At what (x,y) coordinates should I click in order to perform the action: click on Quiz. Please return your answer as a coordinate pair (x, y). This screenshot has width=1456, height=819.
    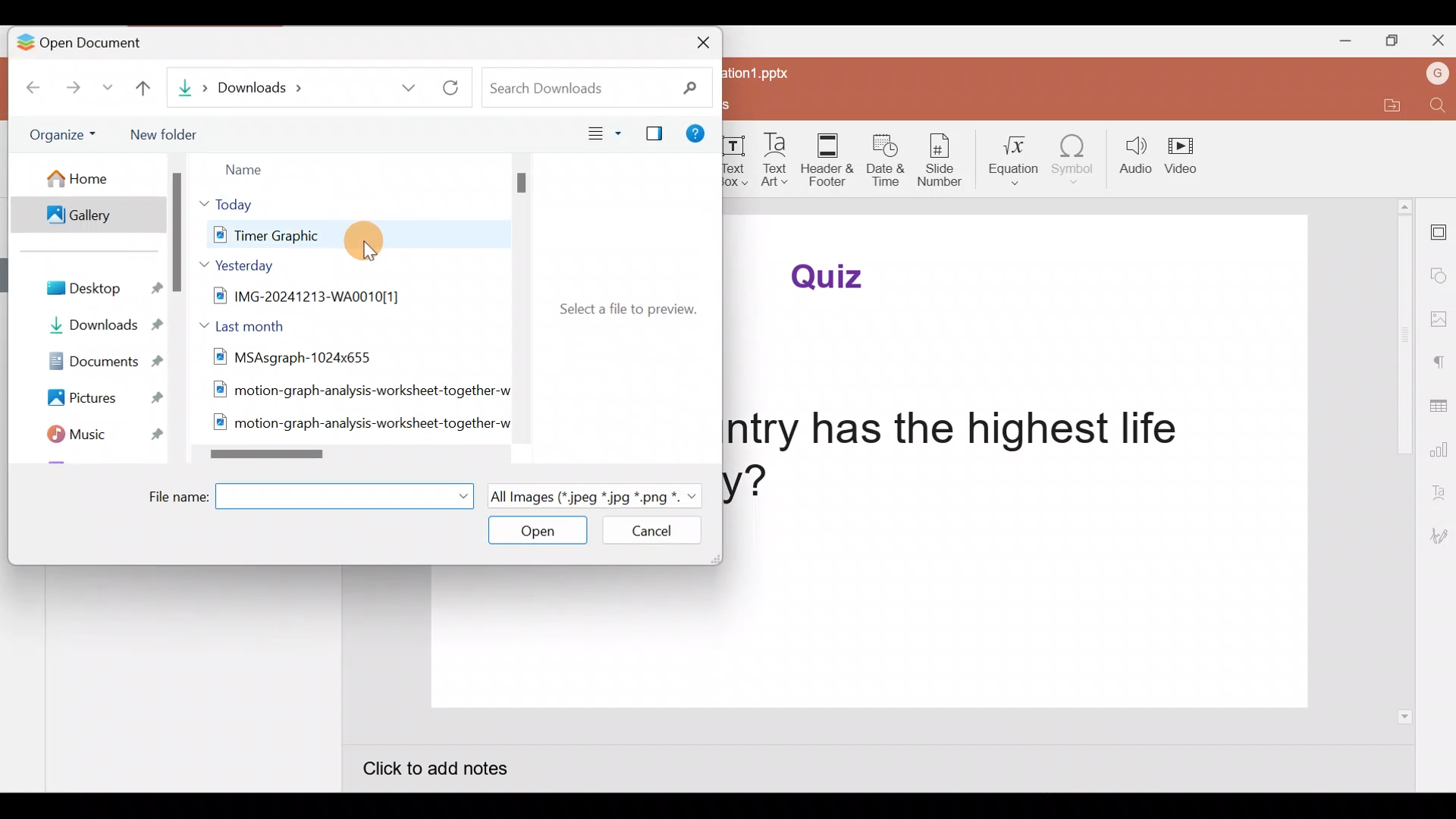
    Looking at the image, I should click on (833, 275).